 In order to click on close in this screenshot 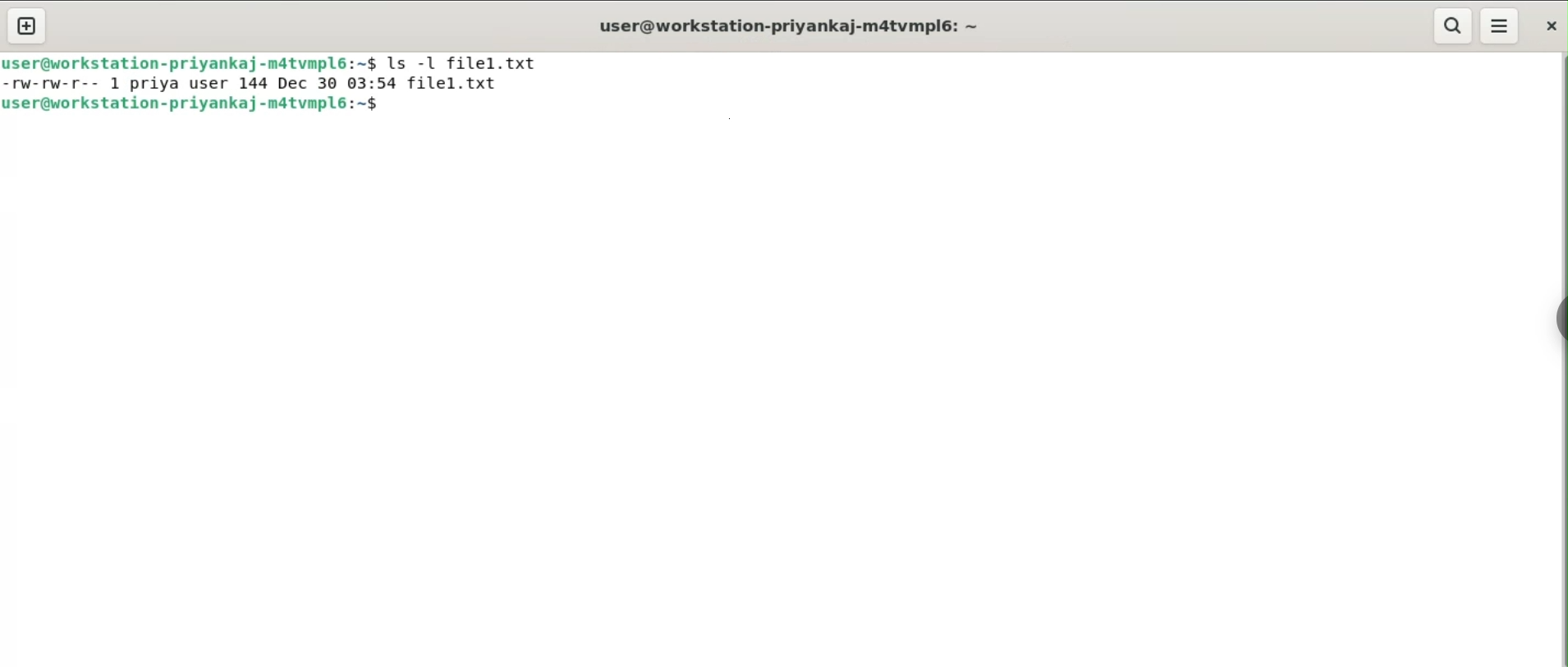, I will do `click(1553, 25)`.